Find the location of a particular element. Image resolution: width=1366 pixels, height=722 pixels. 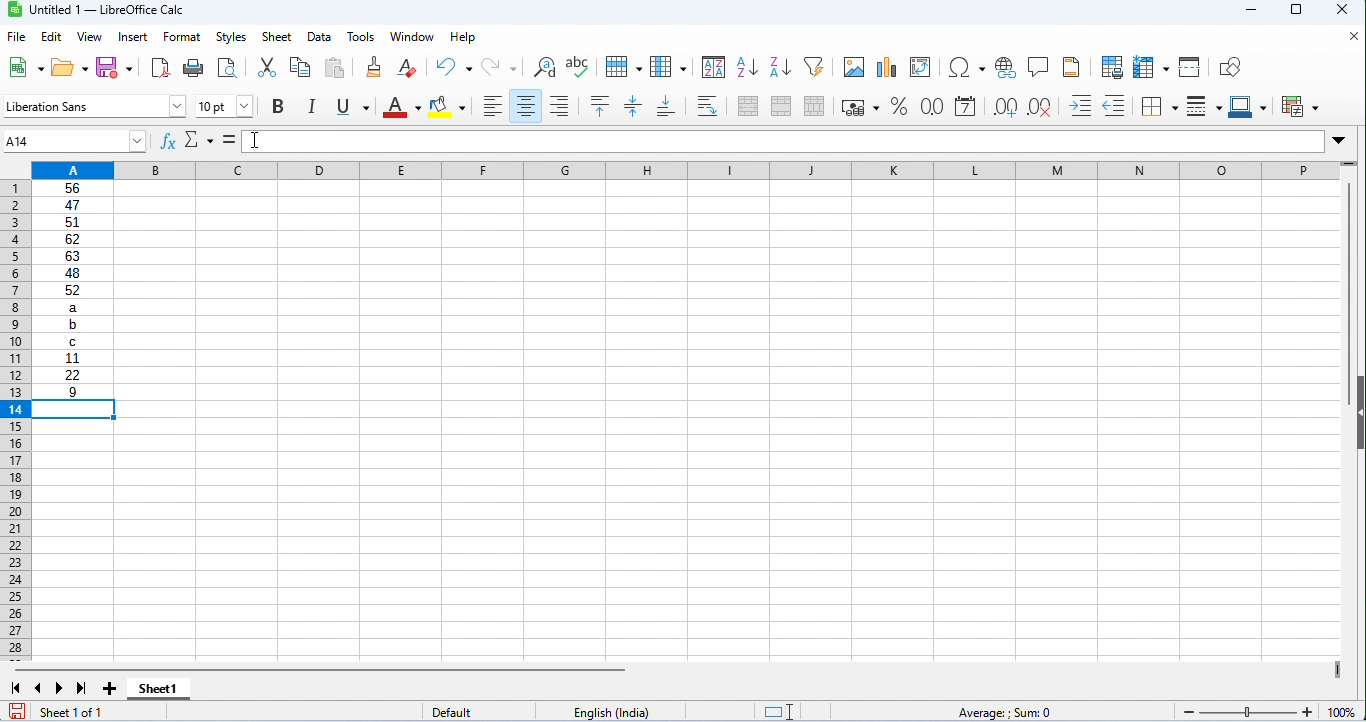

47 is located at coordinates (72, 205).